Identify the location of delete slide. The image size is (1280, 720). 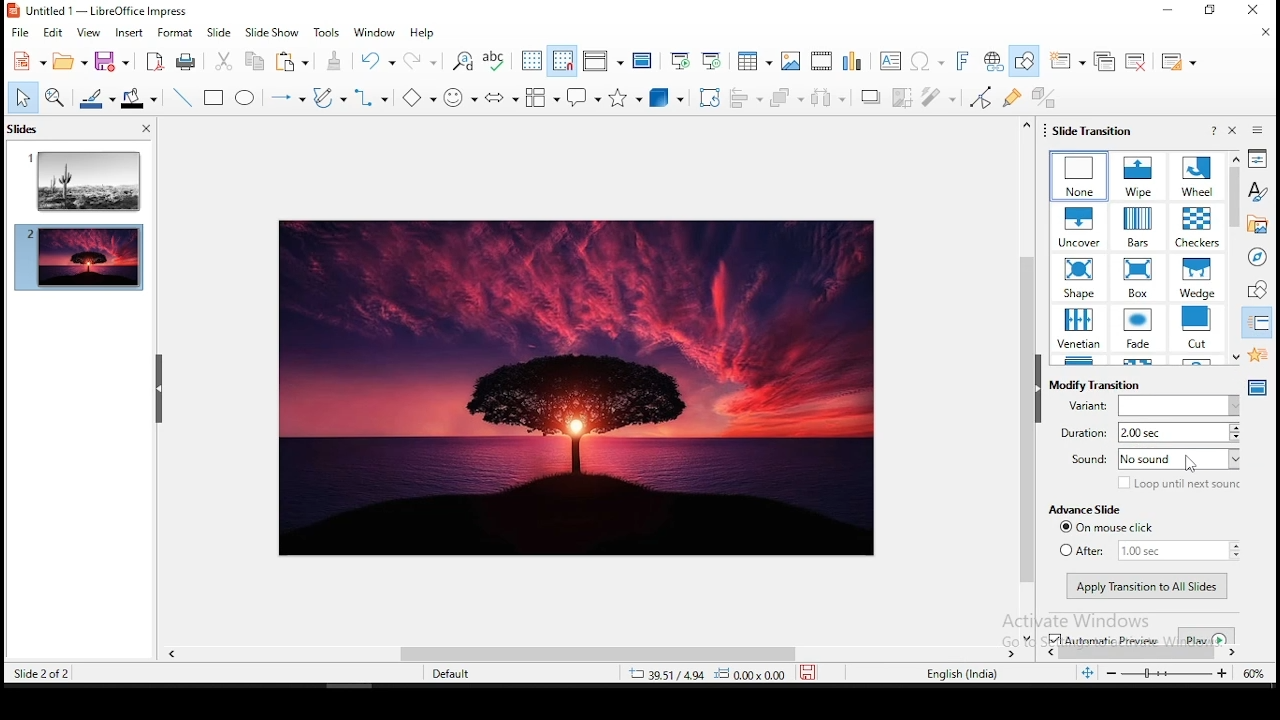
(1138, 61).